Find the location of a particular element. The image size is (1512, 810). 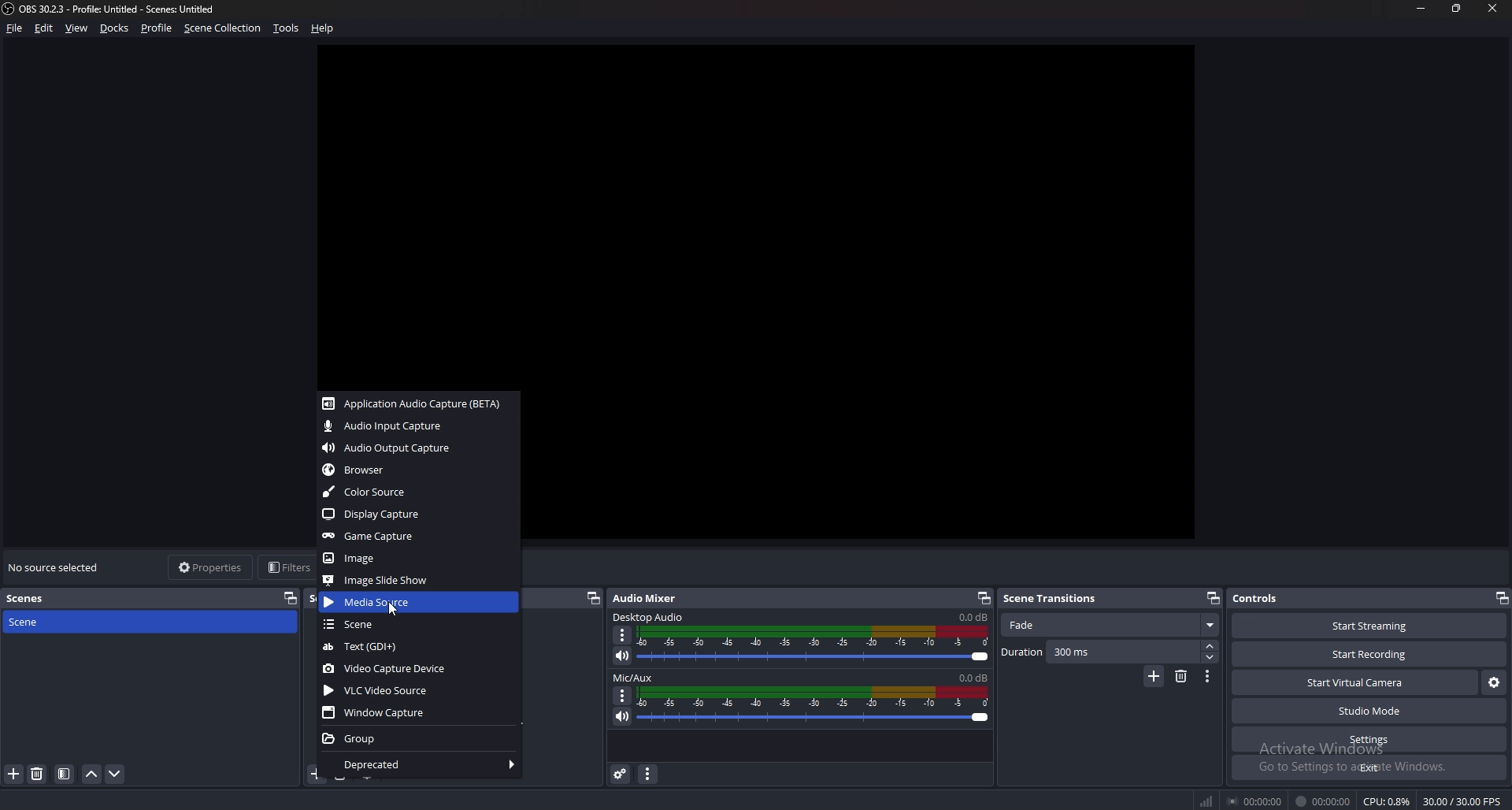

30.00 / 30.00 FPS is located at coordinates (1462, 801).